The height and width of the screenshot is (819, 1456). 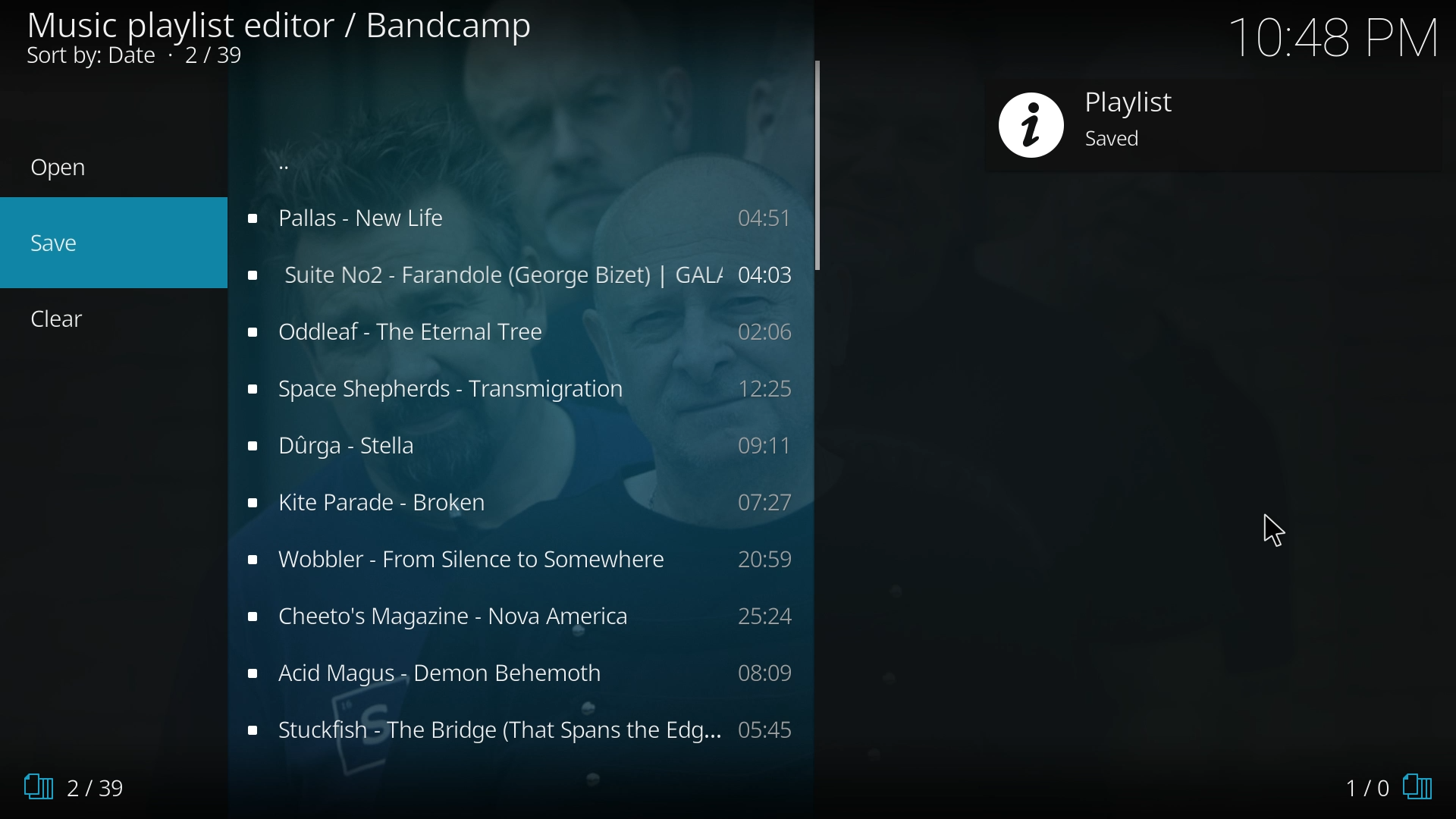 I want to click on song, so click(x=521, y=504).